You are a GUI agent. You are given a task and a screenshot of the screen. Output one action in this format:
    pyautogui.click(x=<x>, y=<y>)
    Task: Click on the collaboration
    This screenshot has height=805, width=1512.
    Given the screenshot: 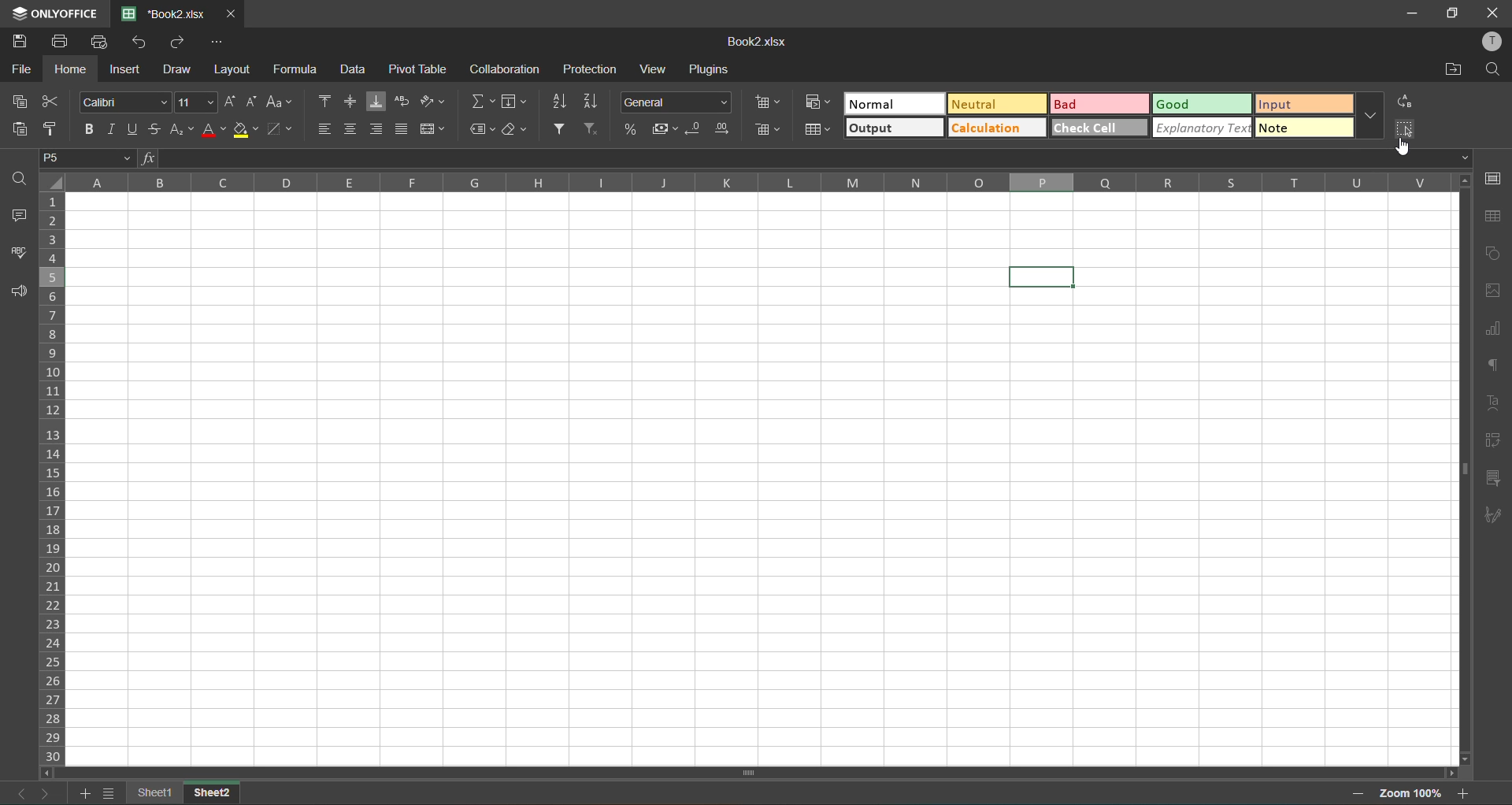 What is the action you would take?
    pyautogui.click(x=502, y=69)
    